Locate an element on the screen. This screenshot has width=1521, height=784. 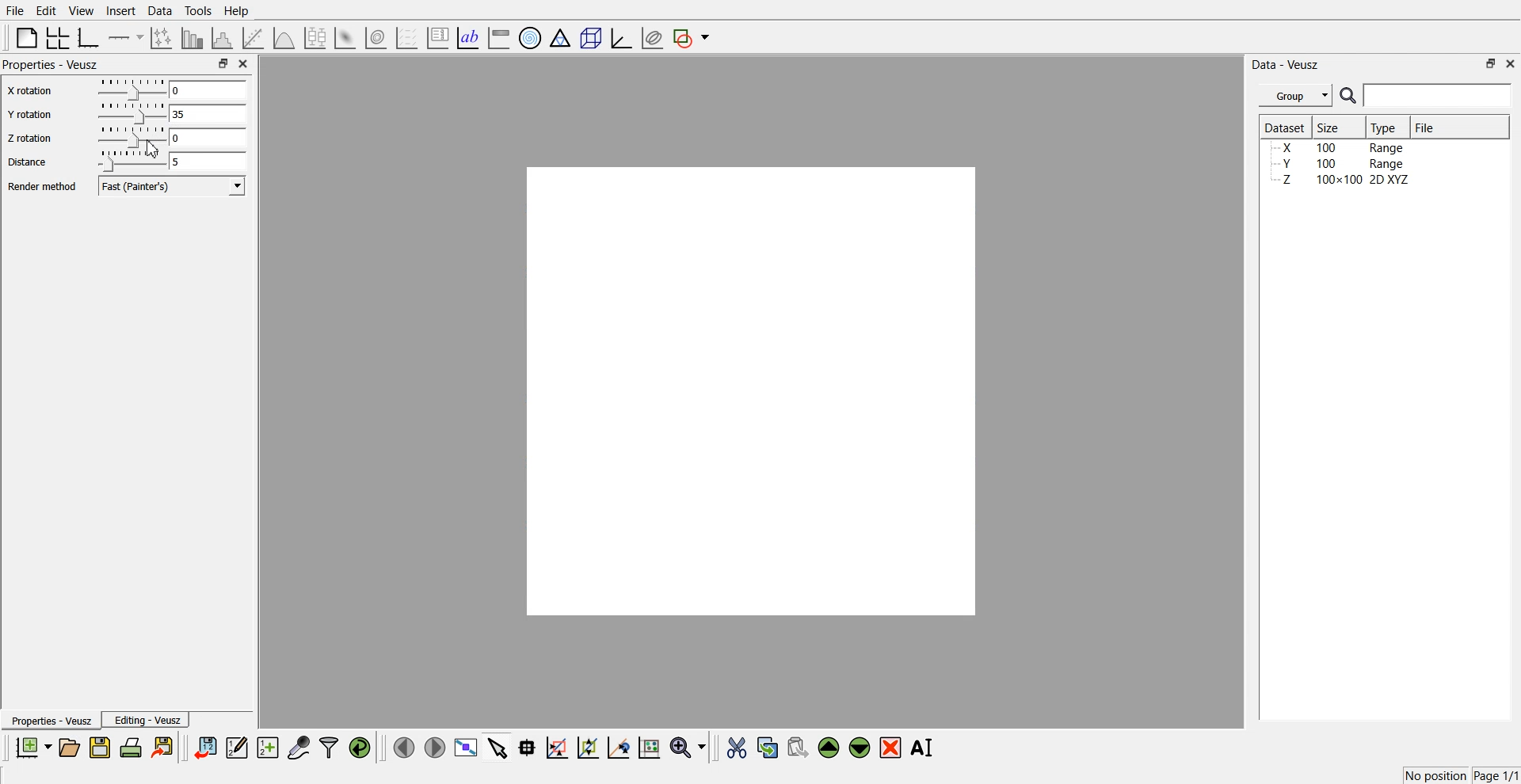
Plot points with lines is located at coordinates (162, 38).